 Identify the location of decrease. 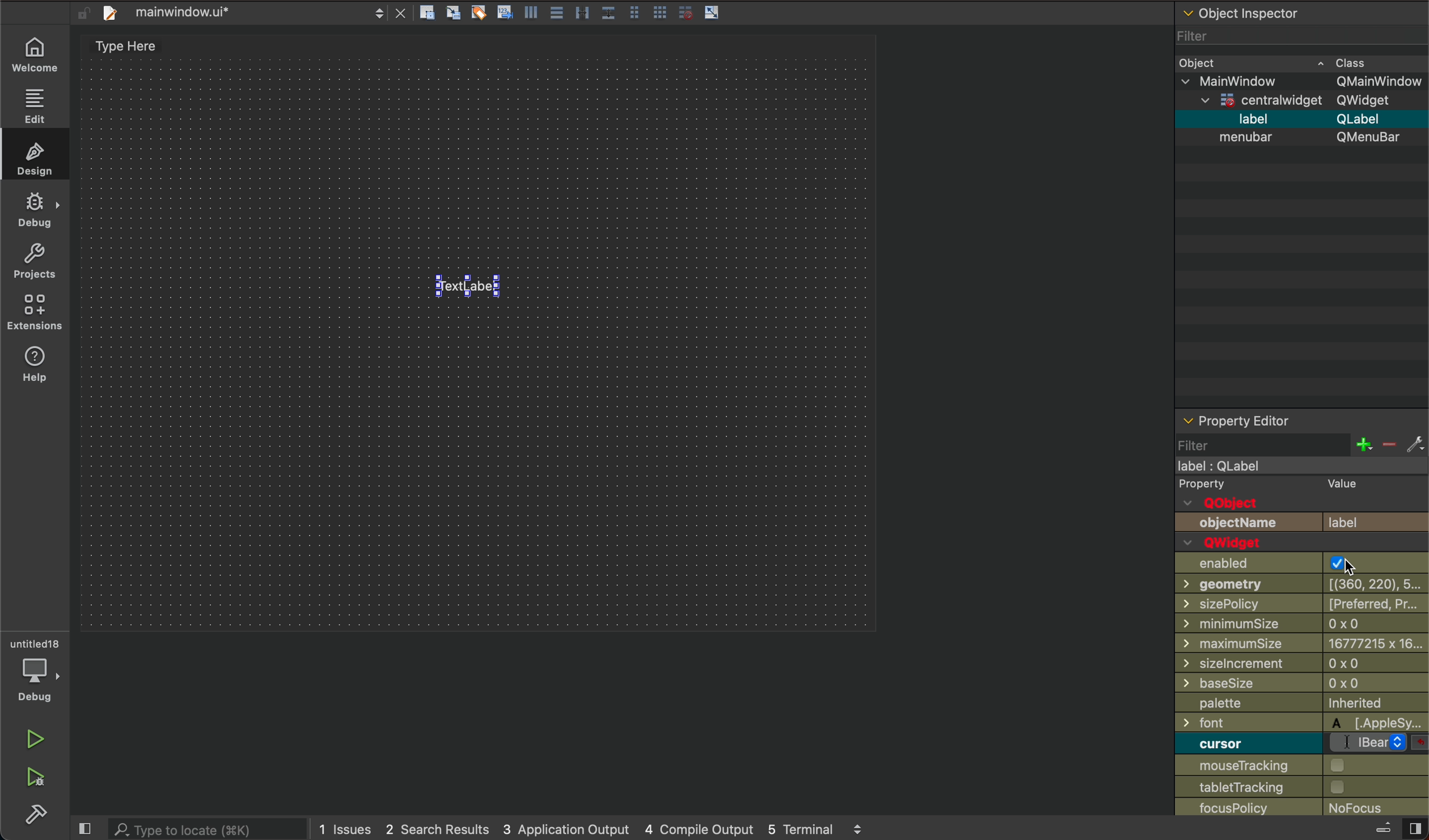
(1390, 443).